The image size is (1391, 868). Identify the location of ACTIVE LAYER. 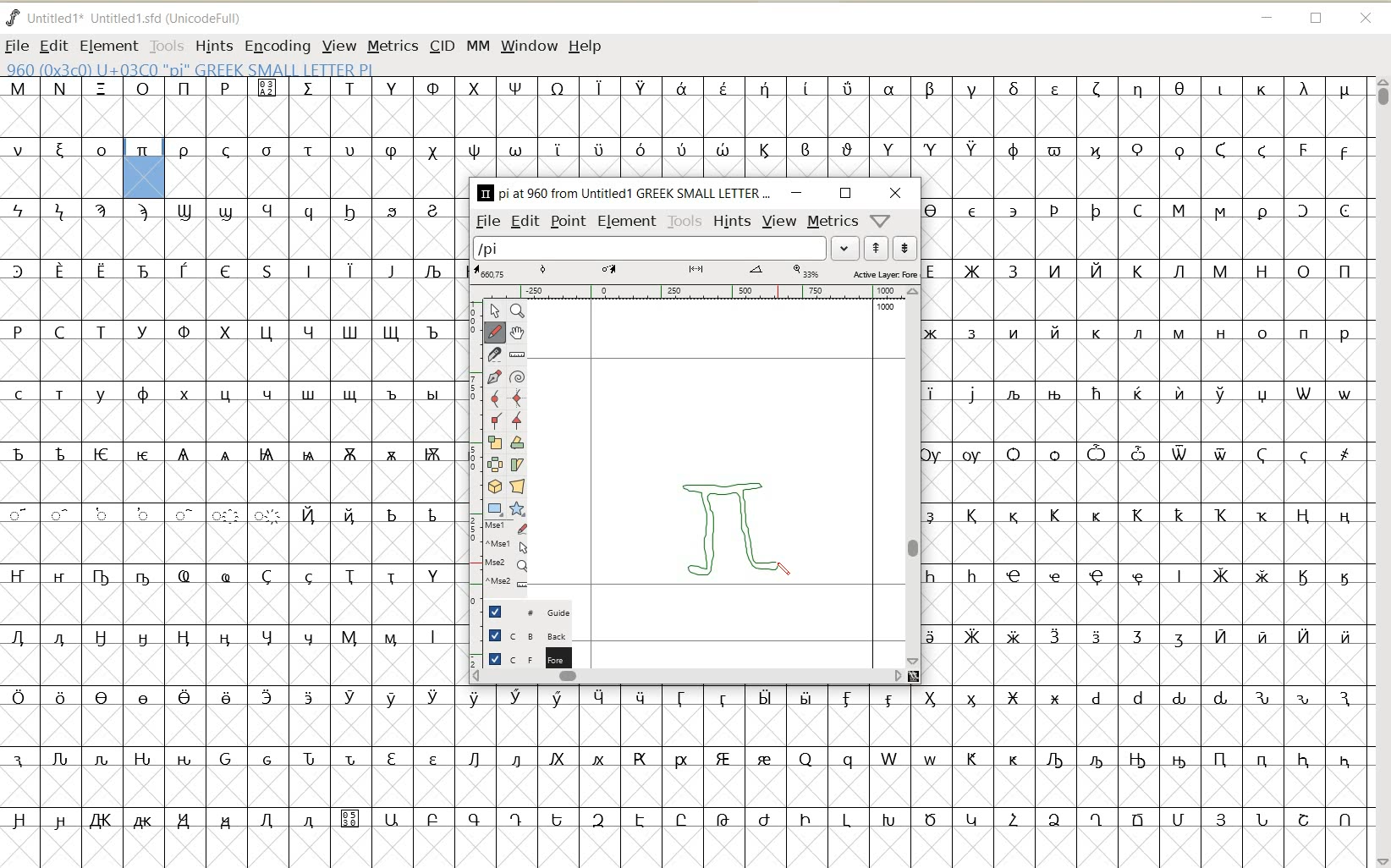
(694, 272).